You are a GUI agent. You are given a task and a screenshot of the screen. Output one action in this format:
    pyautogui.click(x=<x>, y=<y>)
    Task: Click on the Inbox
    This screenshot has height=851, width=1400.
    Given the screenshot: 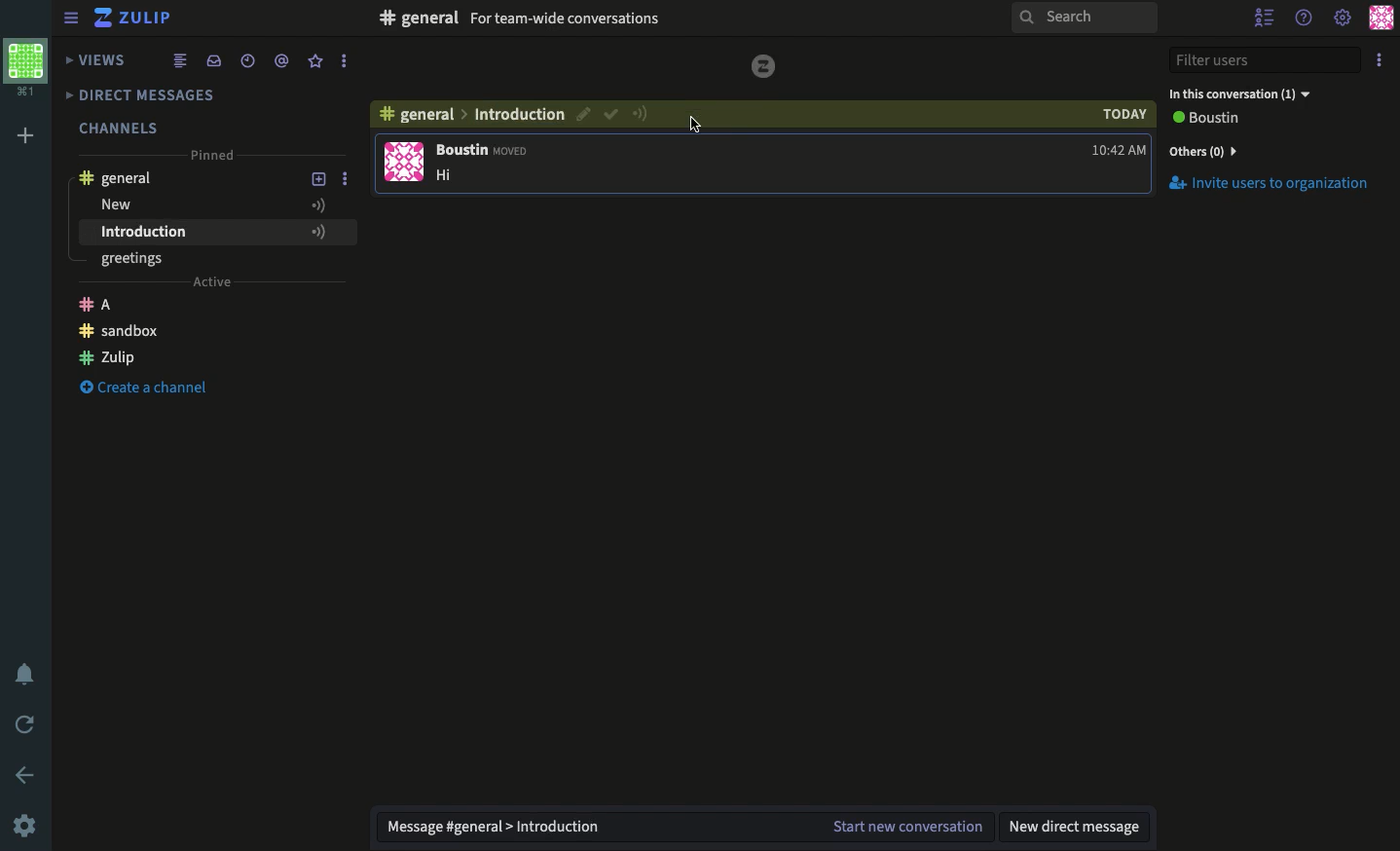 What is the action you would take?
    pyautogui.click(x=614, y=20)
    